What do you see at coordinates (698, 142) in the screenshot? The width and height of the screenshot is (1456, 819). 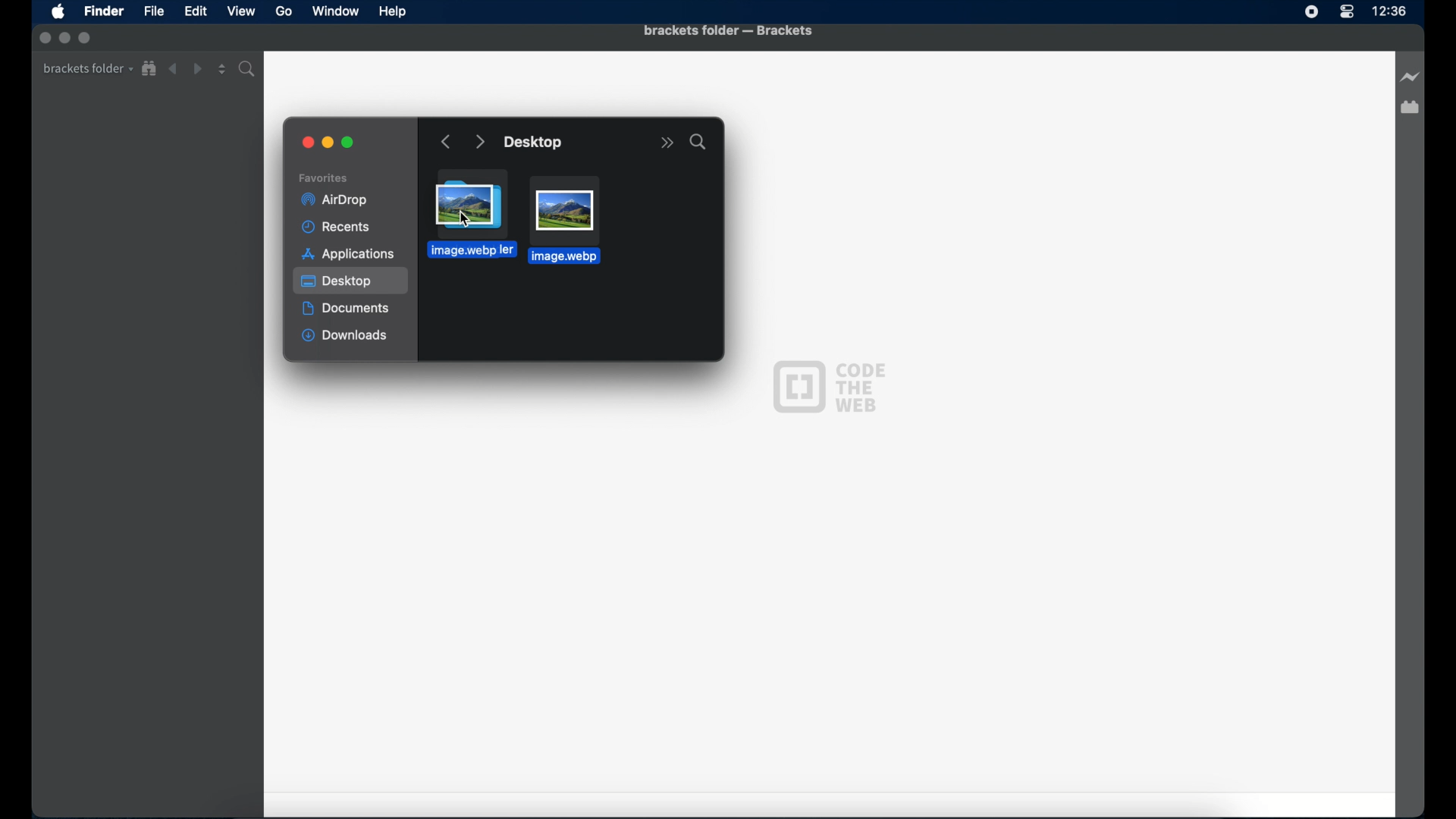 I see `search` at bounding box center [698, 142].